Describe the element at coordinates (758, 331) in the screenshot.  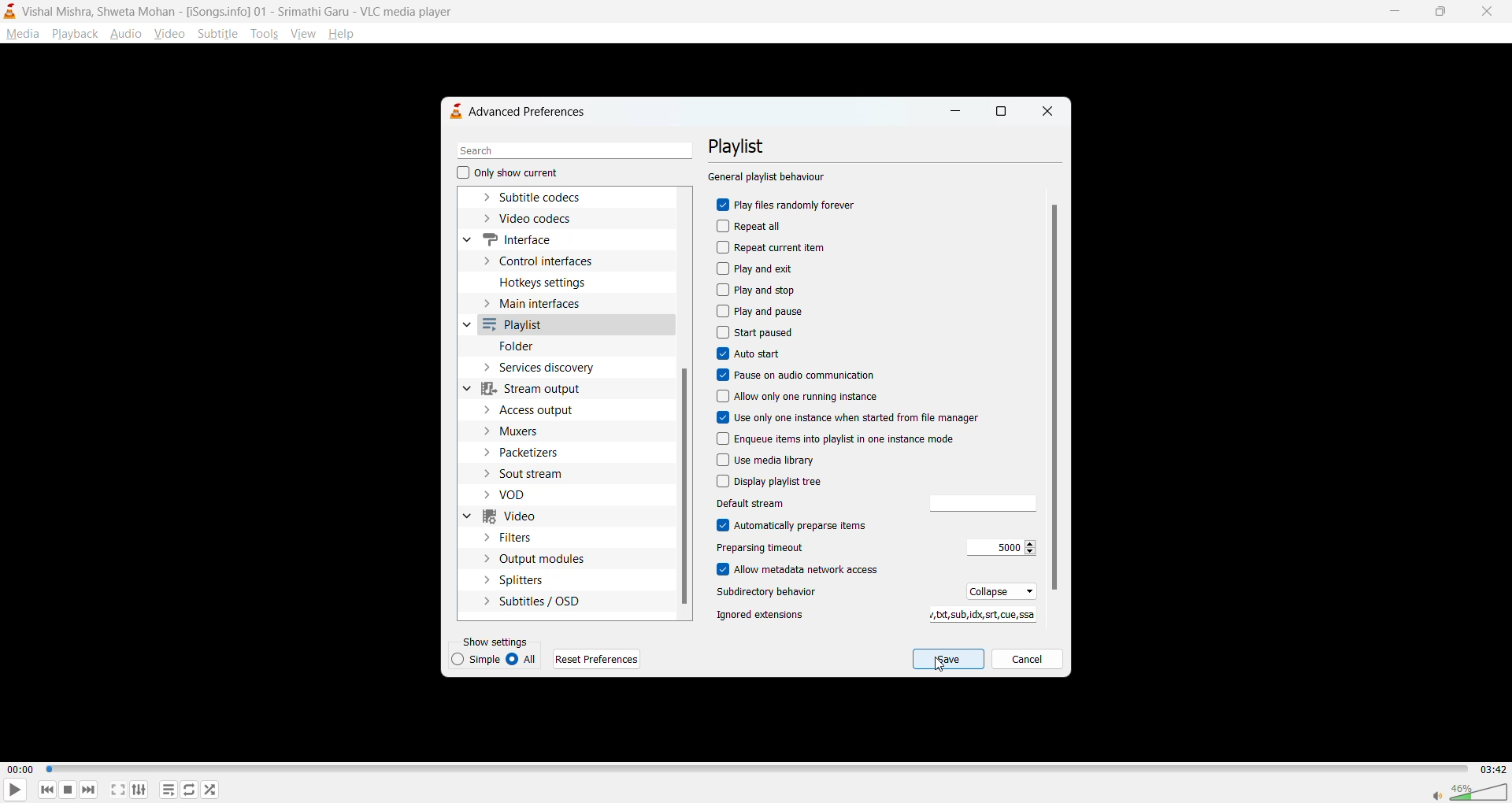
I see `start paused` at that location.